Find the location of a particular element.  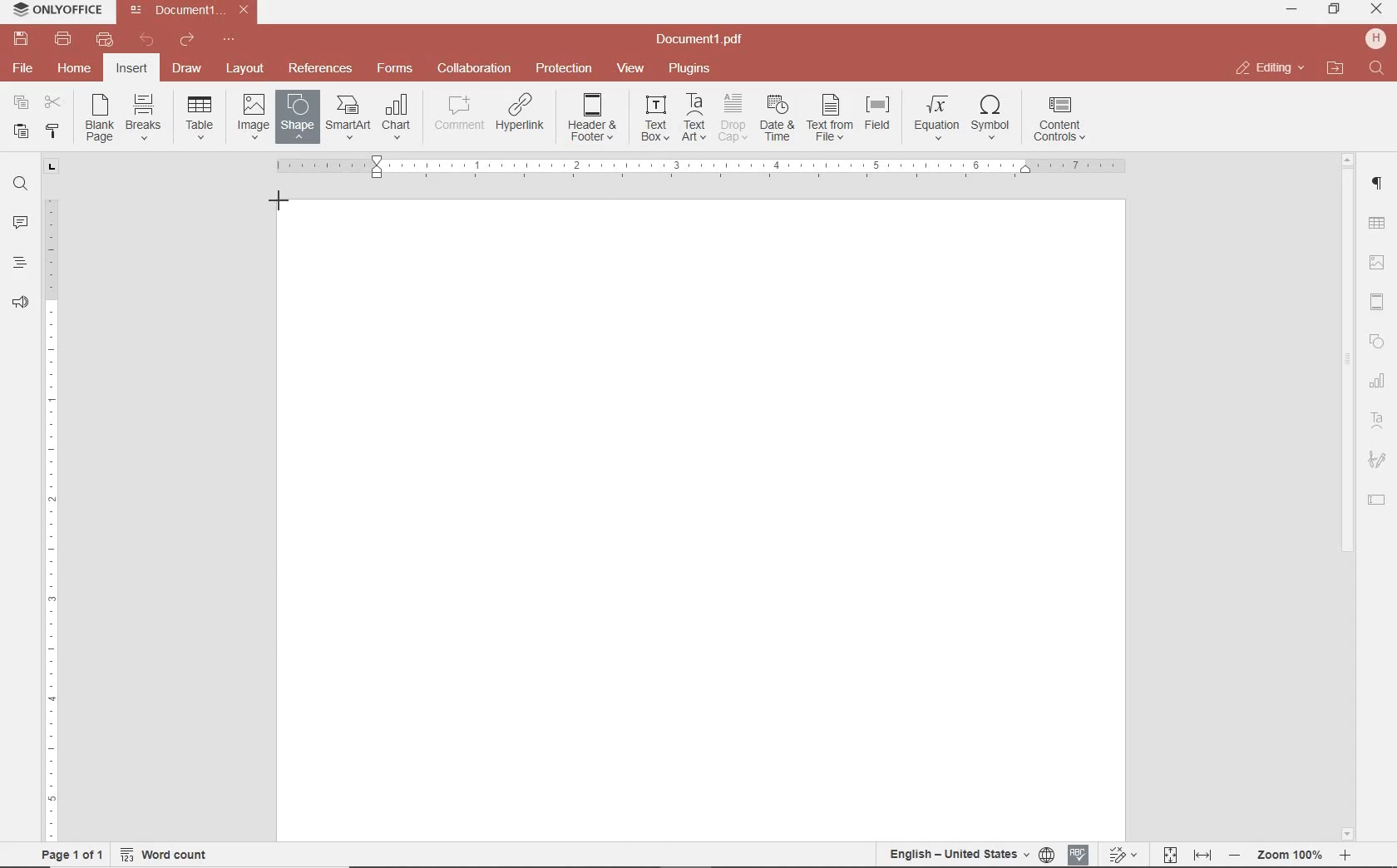

INSERT SHAPE is located at coordinates (296, 116).